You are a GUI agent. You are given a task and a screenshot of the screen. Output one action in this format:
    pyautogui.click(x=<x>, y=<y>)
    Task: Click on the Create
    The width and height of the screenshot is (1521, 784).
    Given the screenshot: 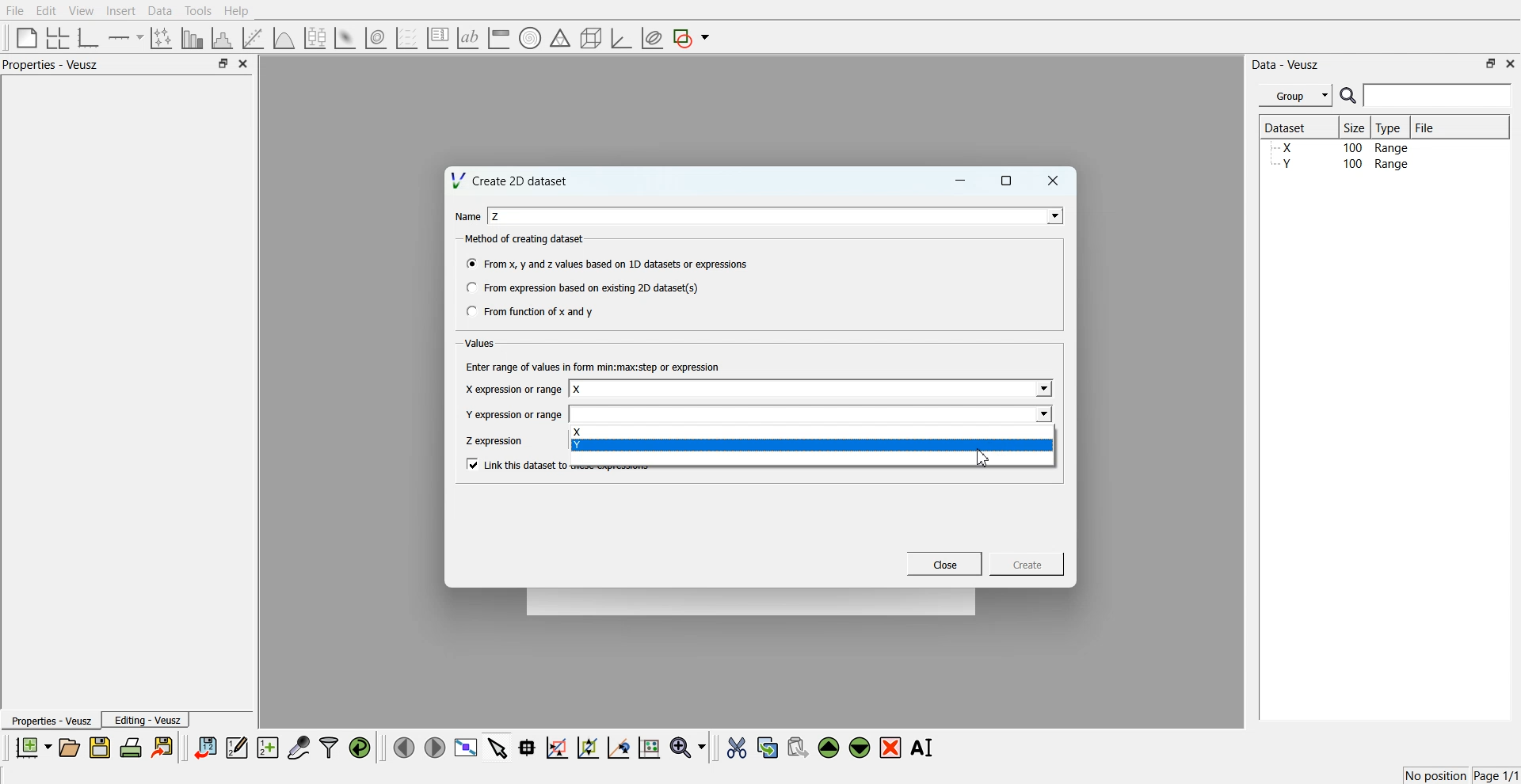 What is the action you would take?
    pyautogui.click(x=1027, y=563)
    